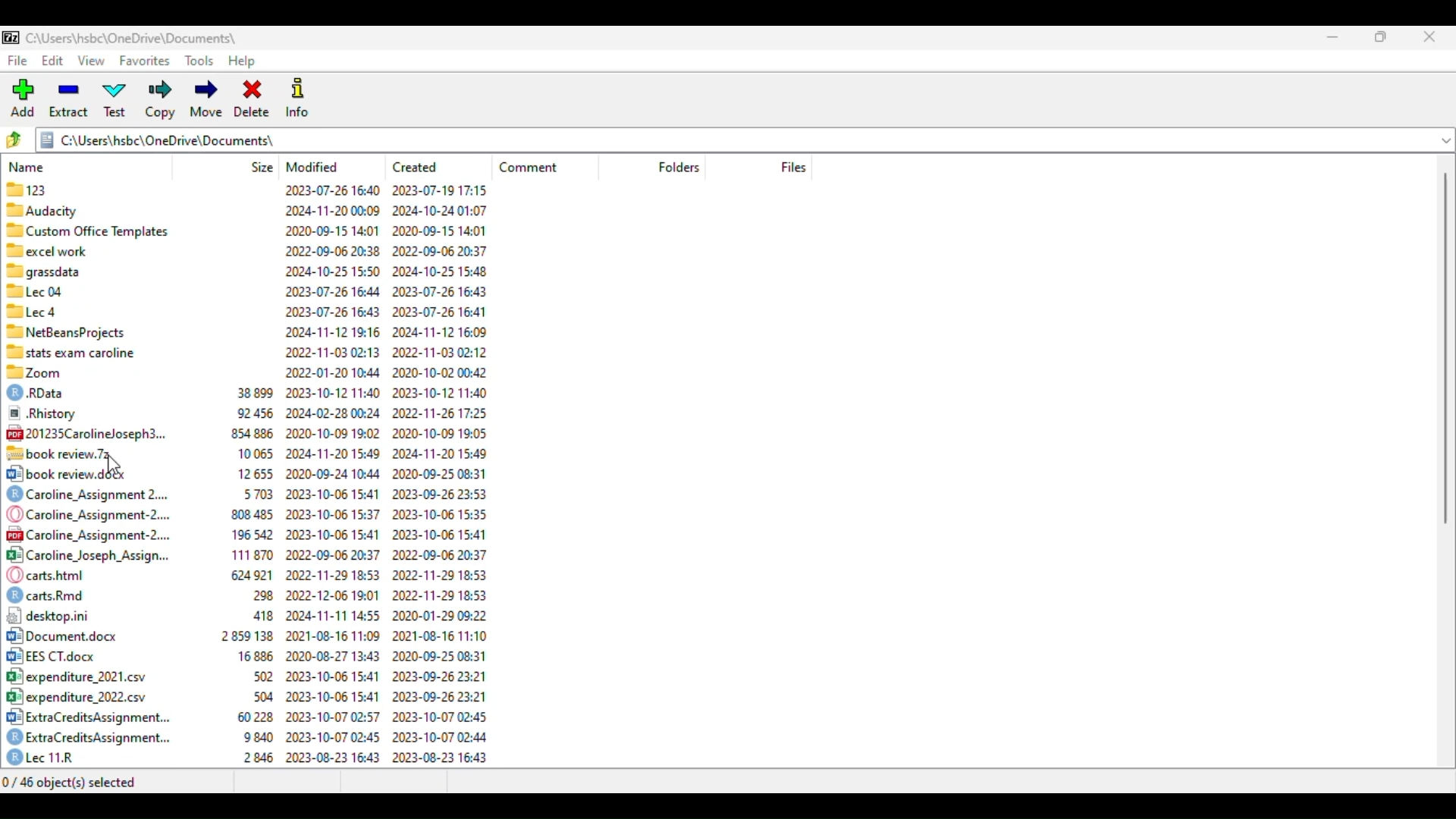  I want to click on files, so click(792, 166).